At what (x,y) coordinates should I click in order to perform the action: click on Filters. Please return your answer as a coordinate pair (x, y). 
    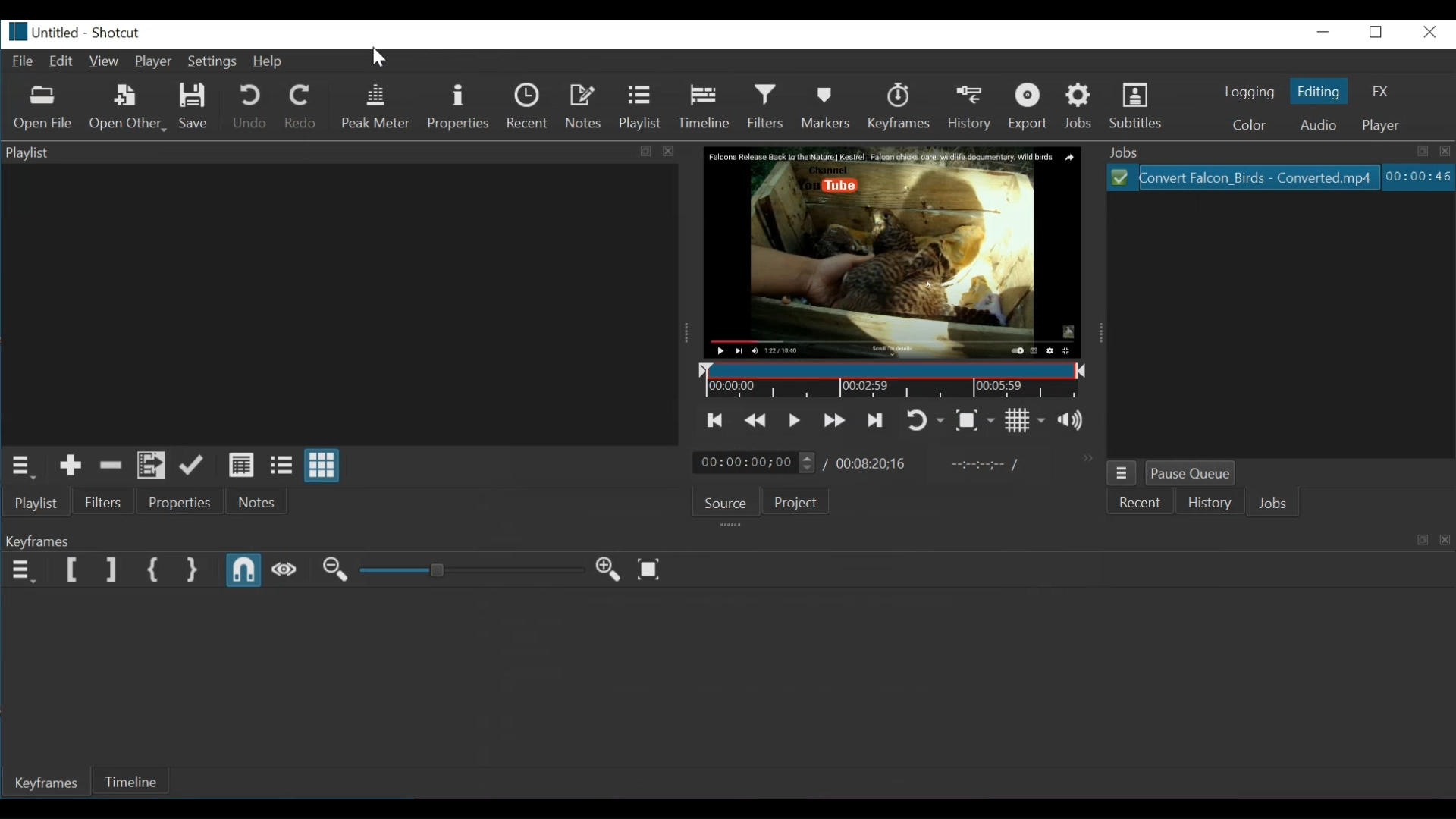
    Looking at the image, I should click on (767, 107).